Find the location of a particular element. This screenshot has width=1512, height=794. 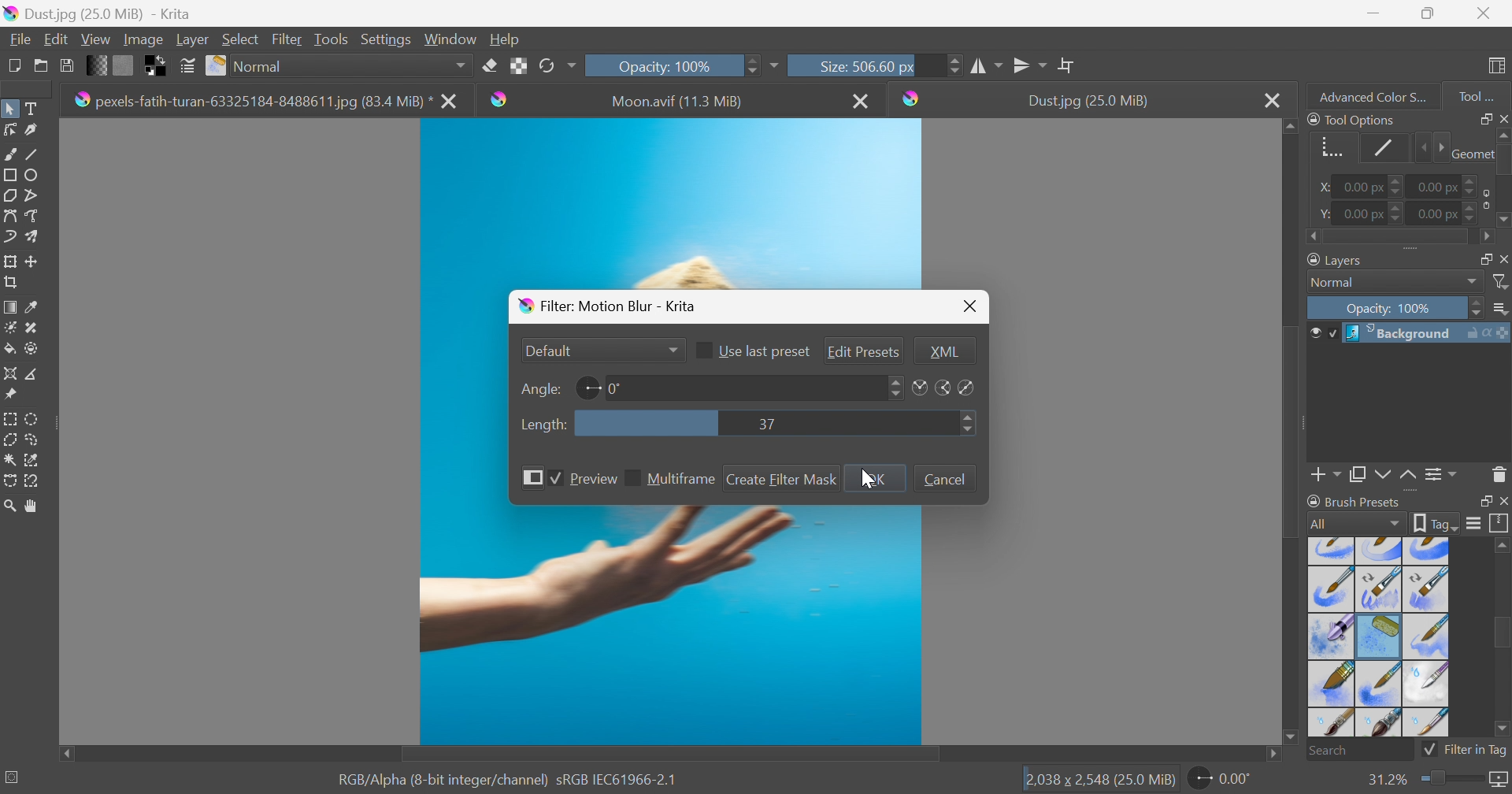

Window is located at coordinates (451, 38).